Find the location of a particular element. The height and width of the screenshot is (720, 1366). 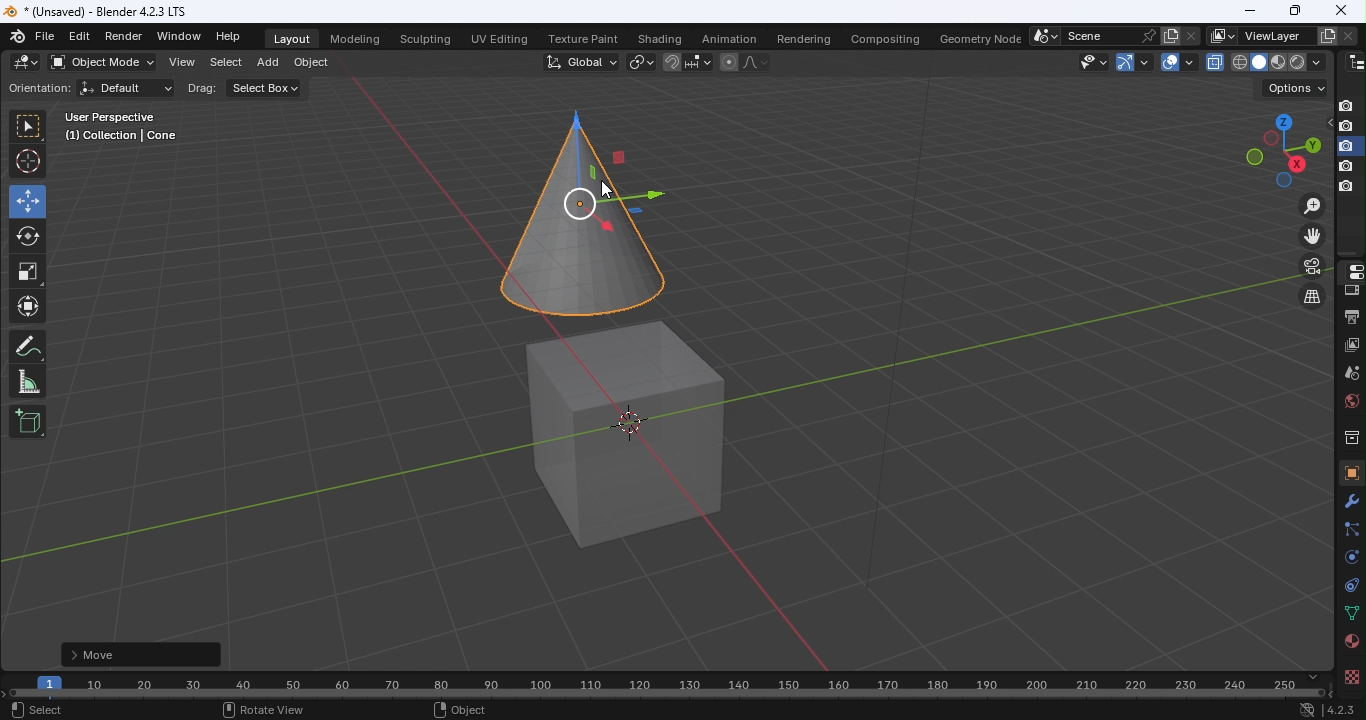

Disable in renders  is located at coordinates (1346, 105).